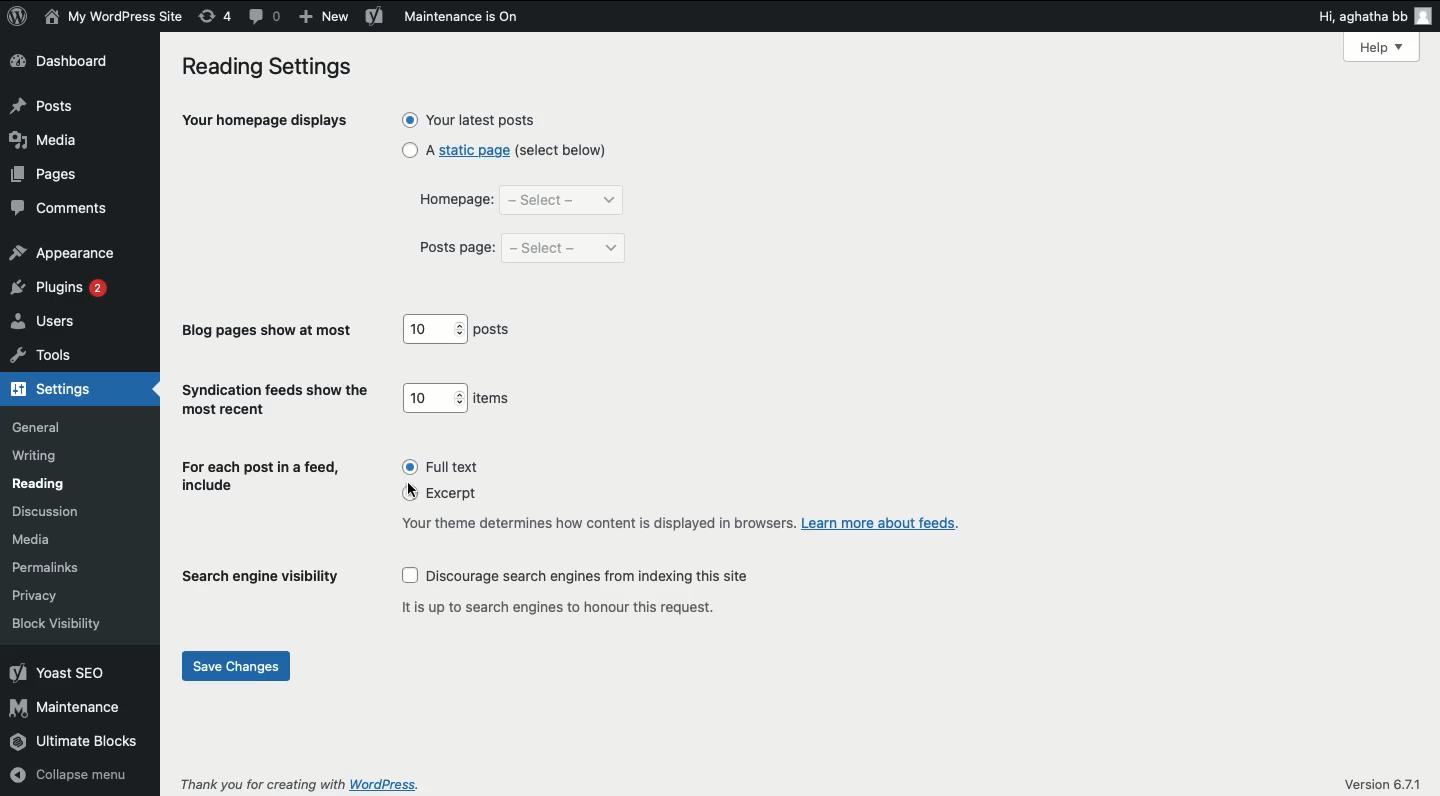 The width and height of the screenshot is (1440, 796). What do you see at coordinates (413, 490) in the screenshot?
I see `cursor on excerpts` at bounding box center [413, 490].